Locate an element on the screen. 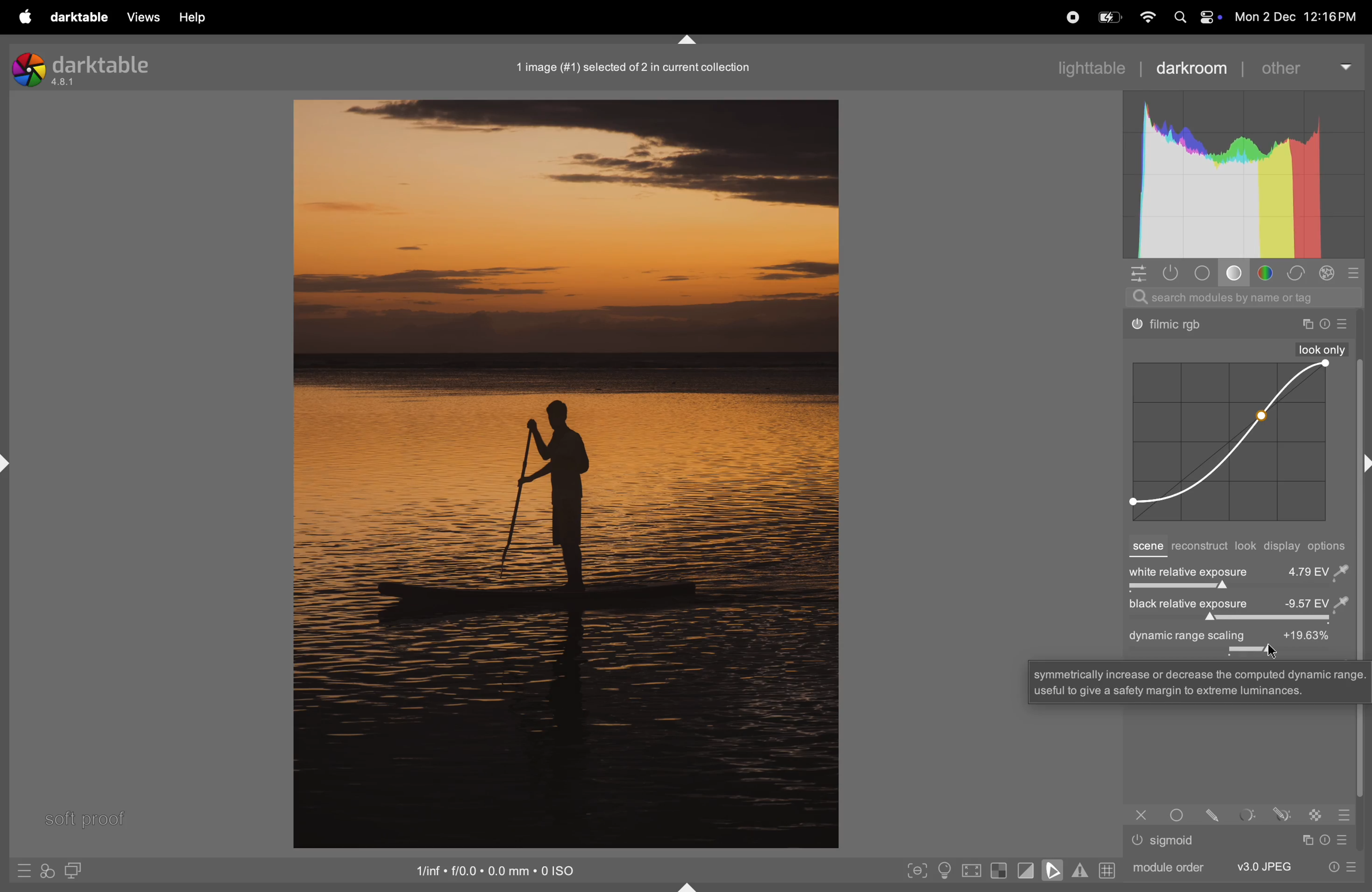 The height and width of the screenshot is (892, 1372). effect is located at coordinates (1327, 273).